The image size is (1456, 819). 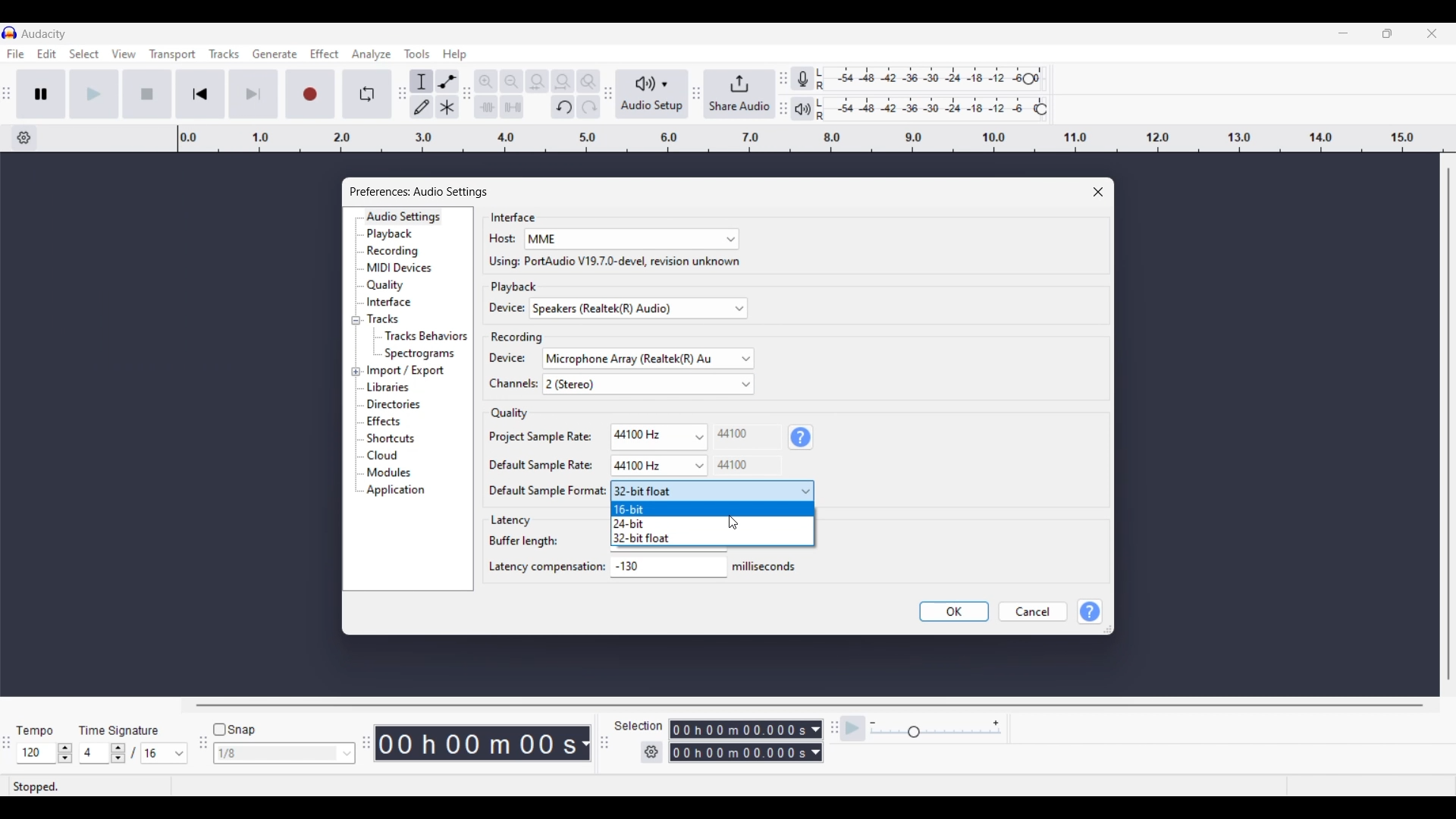 What do you see at coordinates (15, 54) in the screenshot?
I see `File menu` at bounding box center [15, 54].